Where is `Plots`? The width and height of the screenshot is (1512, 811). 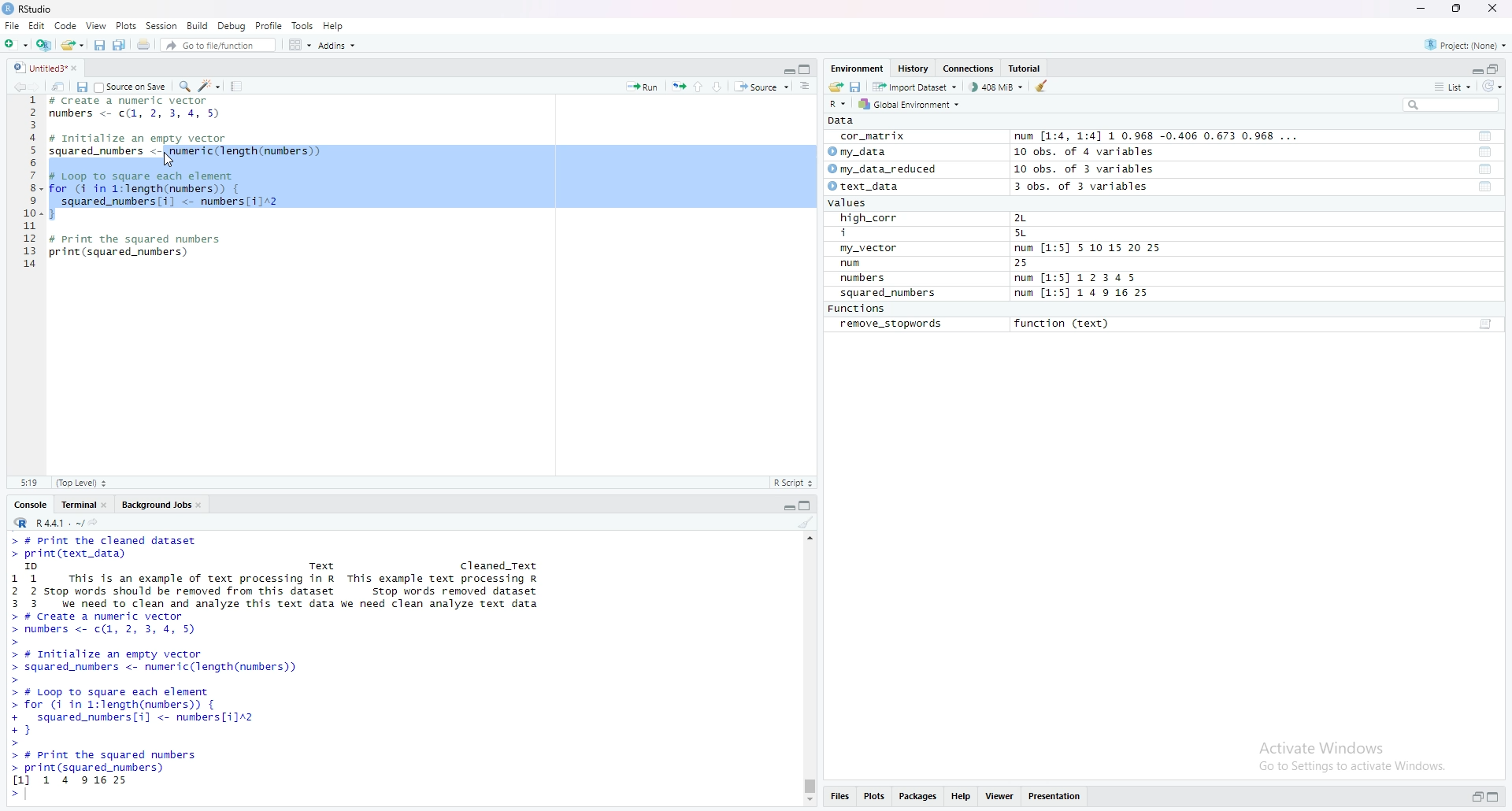
Plots is located at coordinates (874, 798).